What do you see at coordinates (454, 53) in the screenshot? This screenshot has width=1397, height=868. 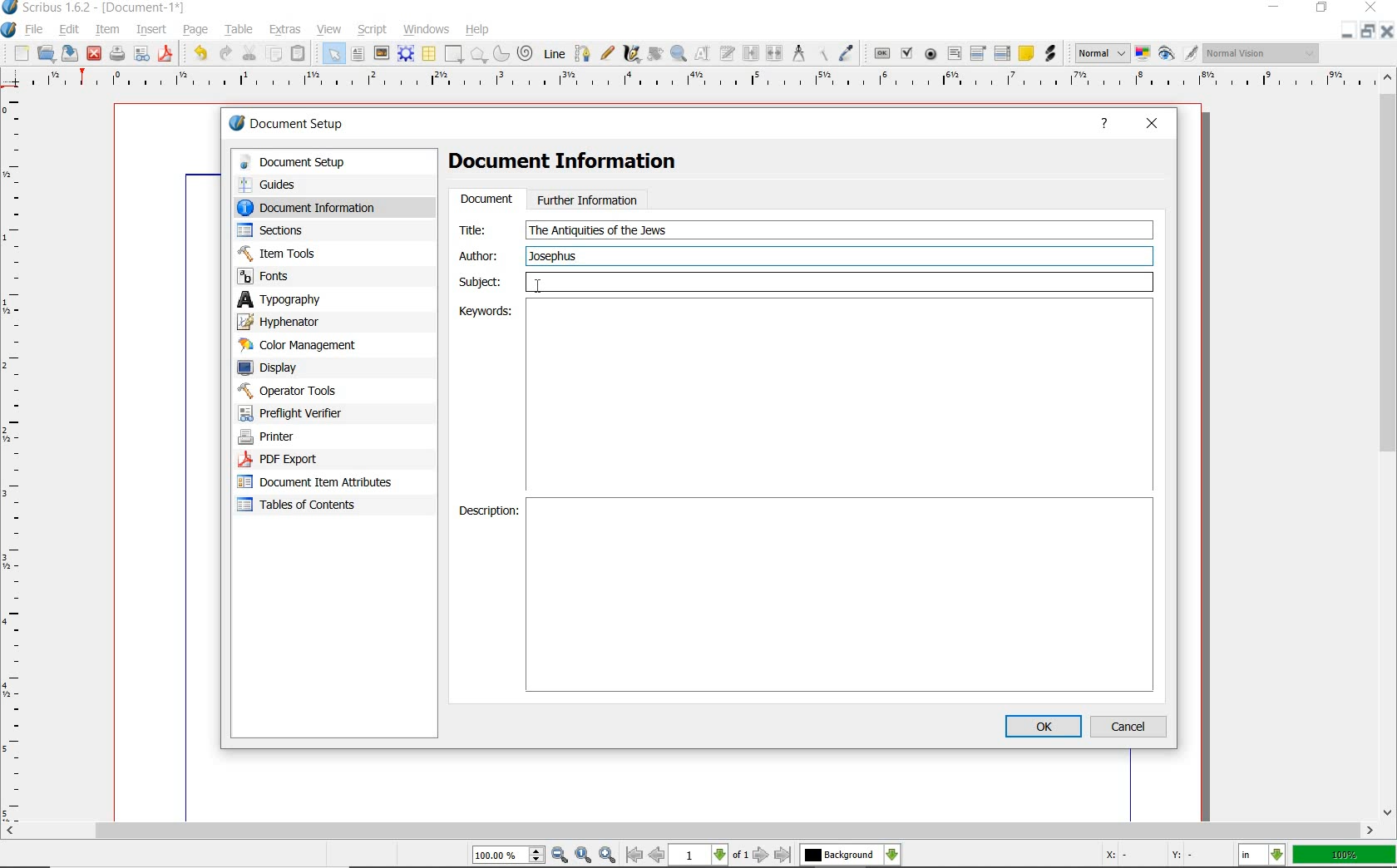 I see `shape` at bounding box center [454, 53].